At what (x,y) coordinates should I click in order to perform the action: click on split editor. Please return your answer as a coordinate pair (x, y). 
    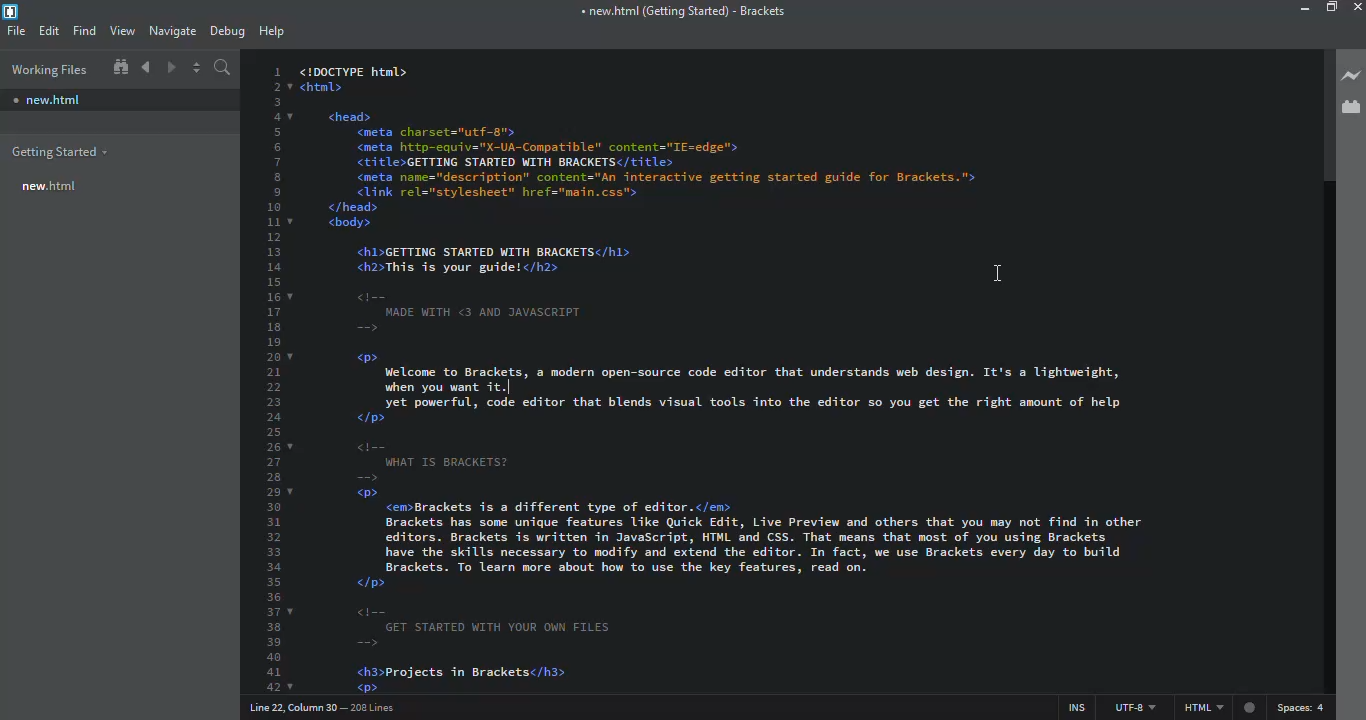
    Looking at the image, I should click on (198, 66).